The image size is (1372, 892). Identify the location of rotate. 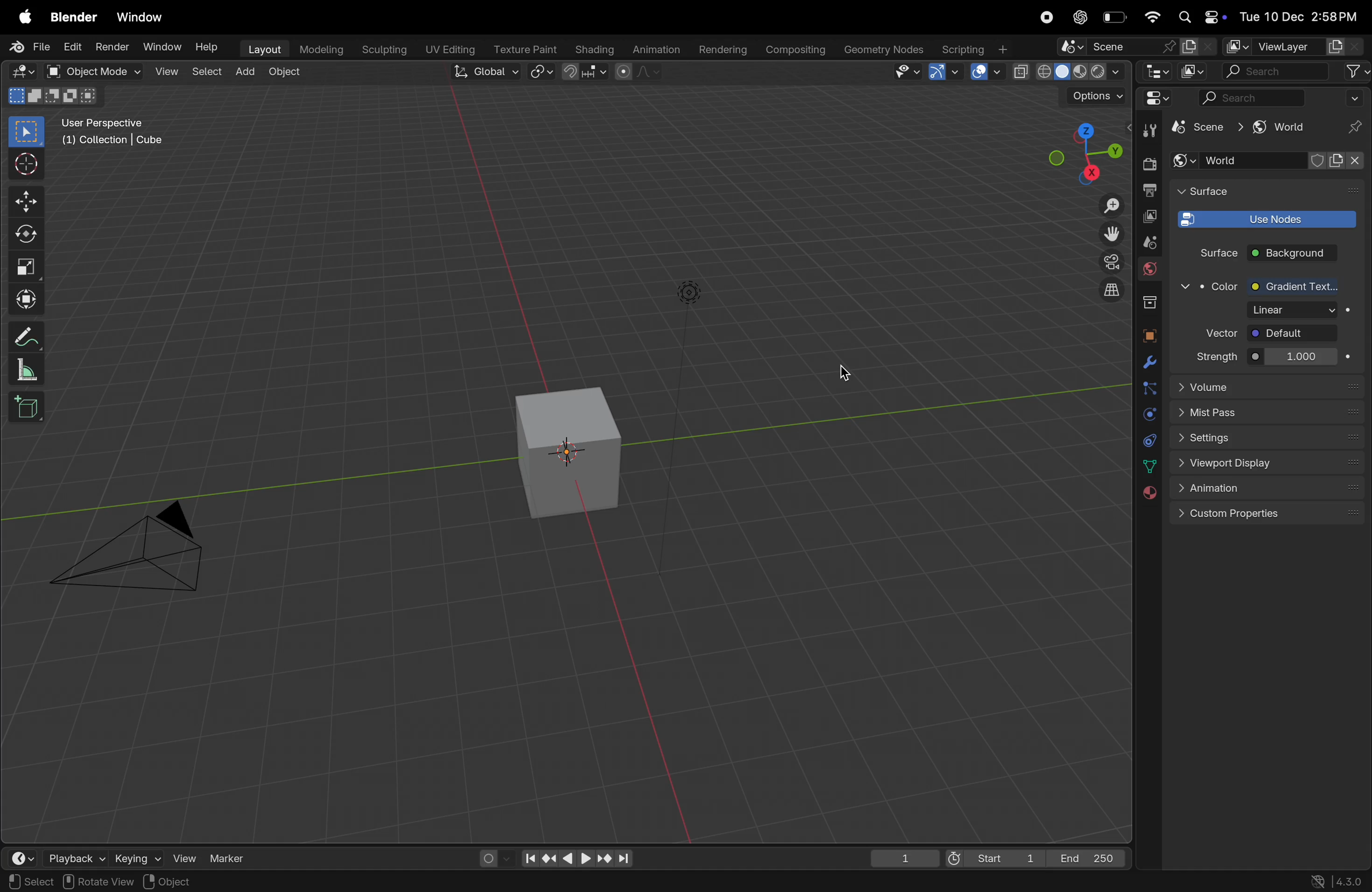
(29, 233).